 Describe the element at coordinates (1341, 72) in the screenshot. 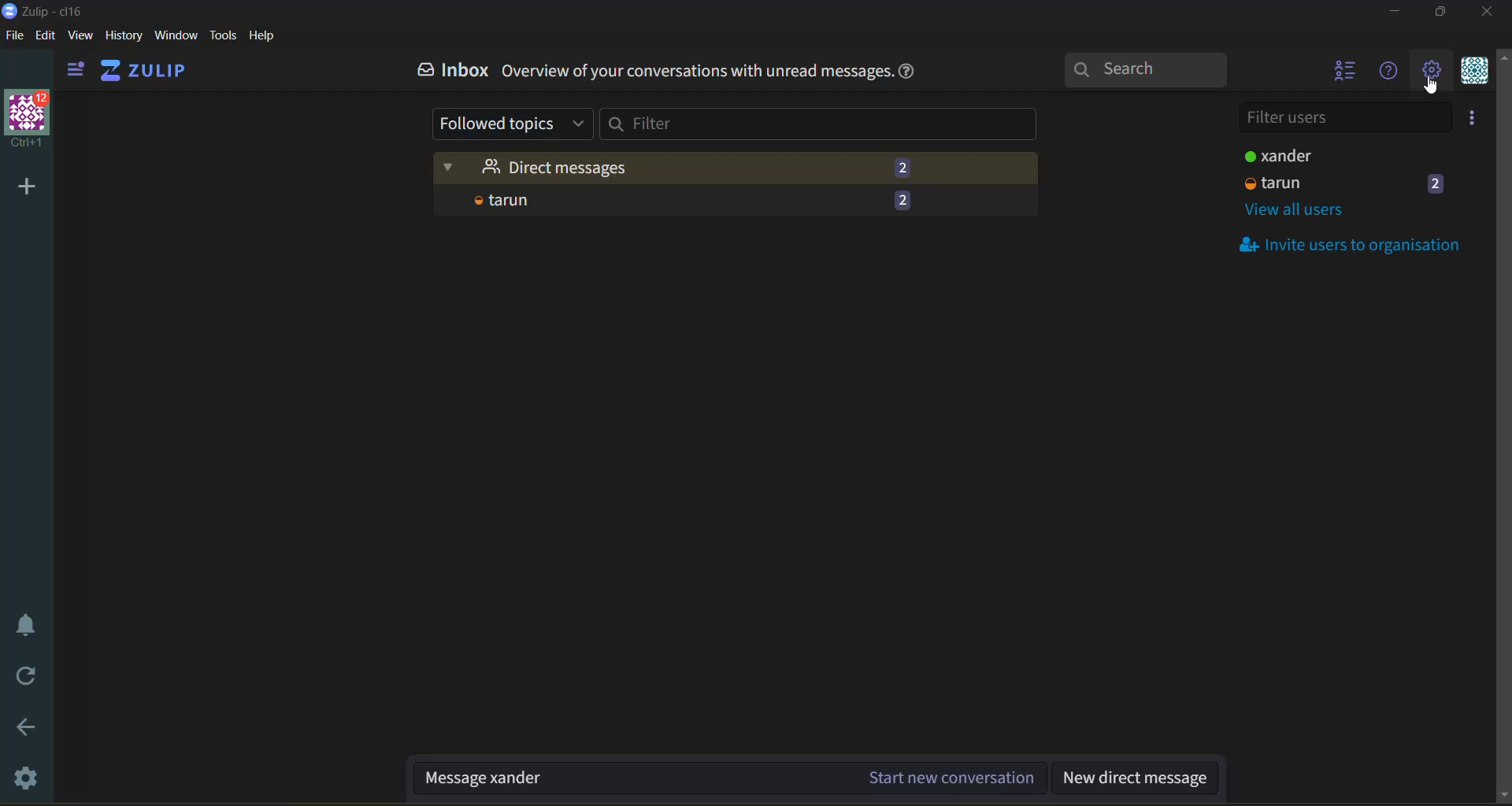

I see `hide user list` at that location.